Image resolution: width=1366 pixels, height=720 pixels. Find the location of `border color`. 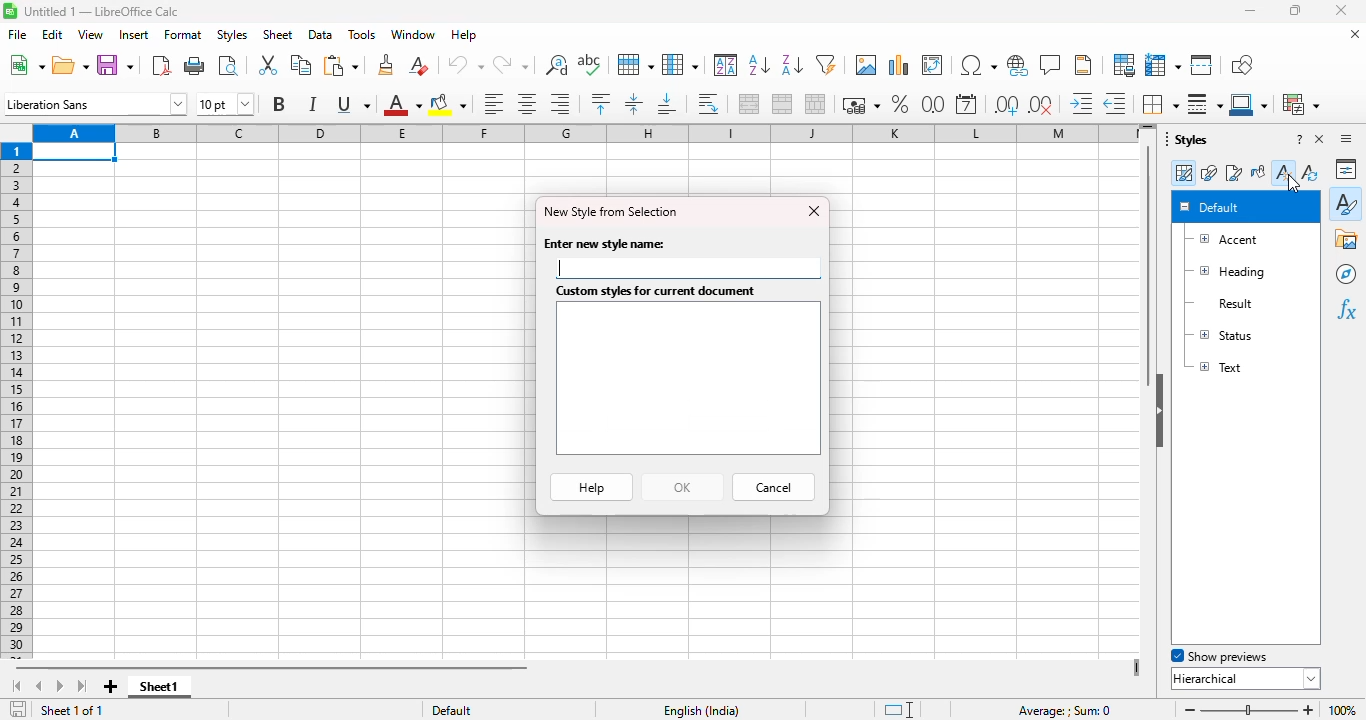

border color is located at coordinates (1250, 104).